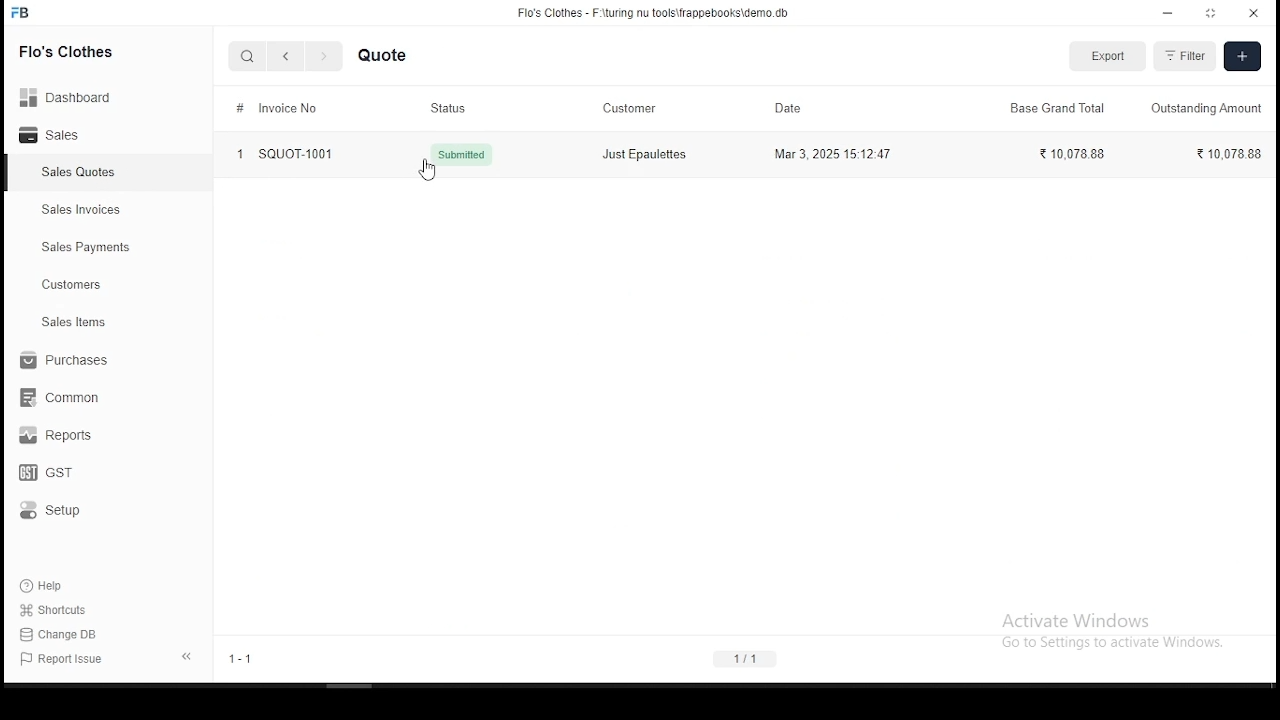 The width and height of the screenshot is (1280, 720). What do you see at coordinates (1099, 57) in the screenshot?
I see `export` at bounding box center [1099, 57].